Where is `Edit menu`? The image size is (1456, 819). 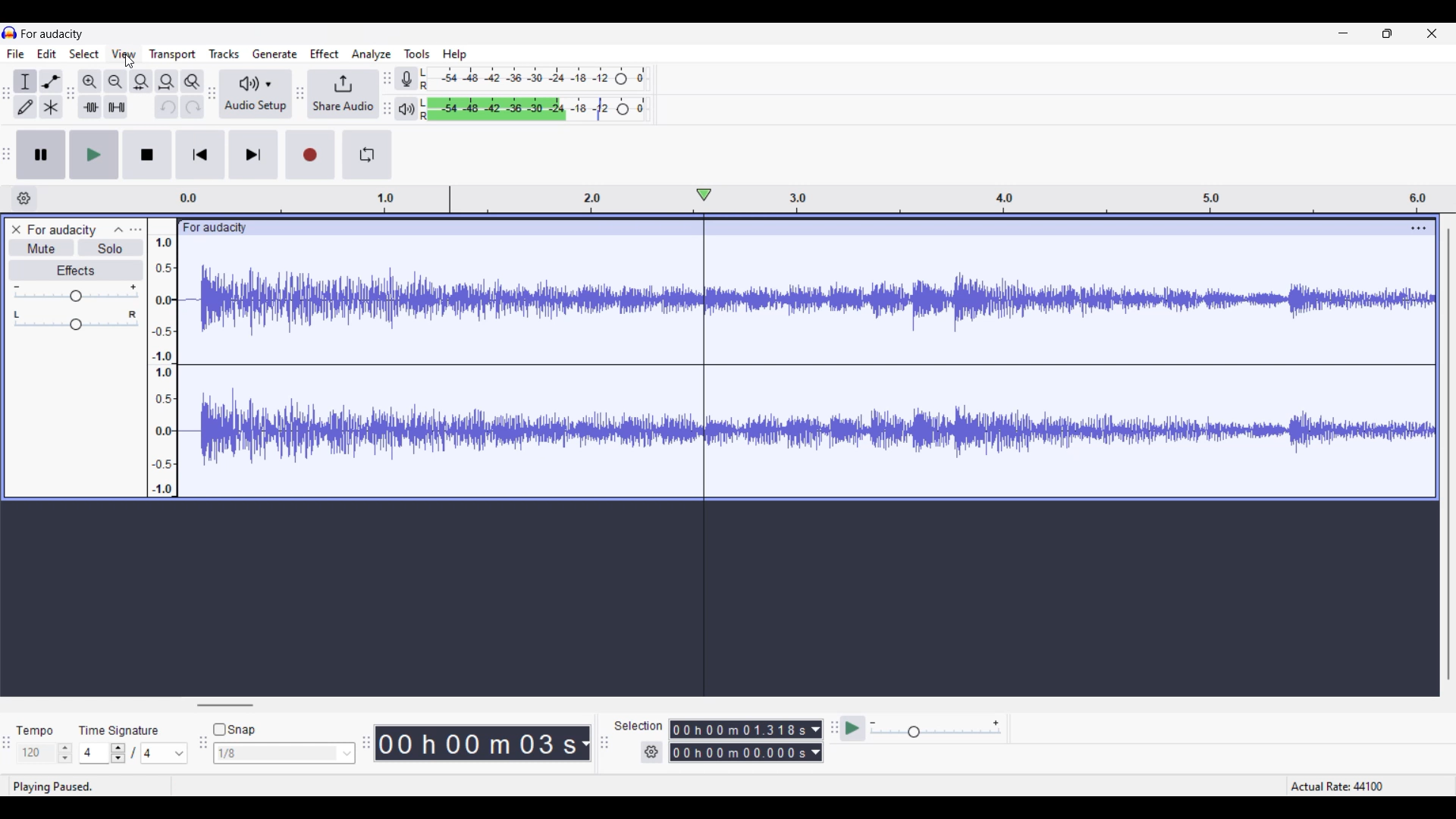 Edit menu is located at coordinates (47, 53).